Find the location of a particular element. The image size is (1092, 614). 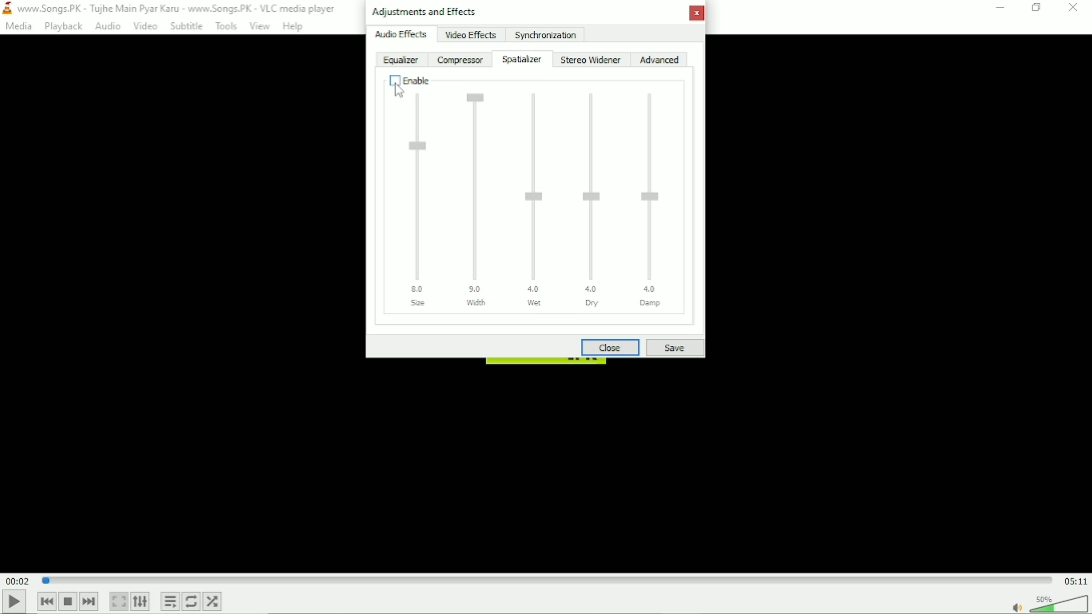

Save is located at coordinates (676, 349).